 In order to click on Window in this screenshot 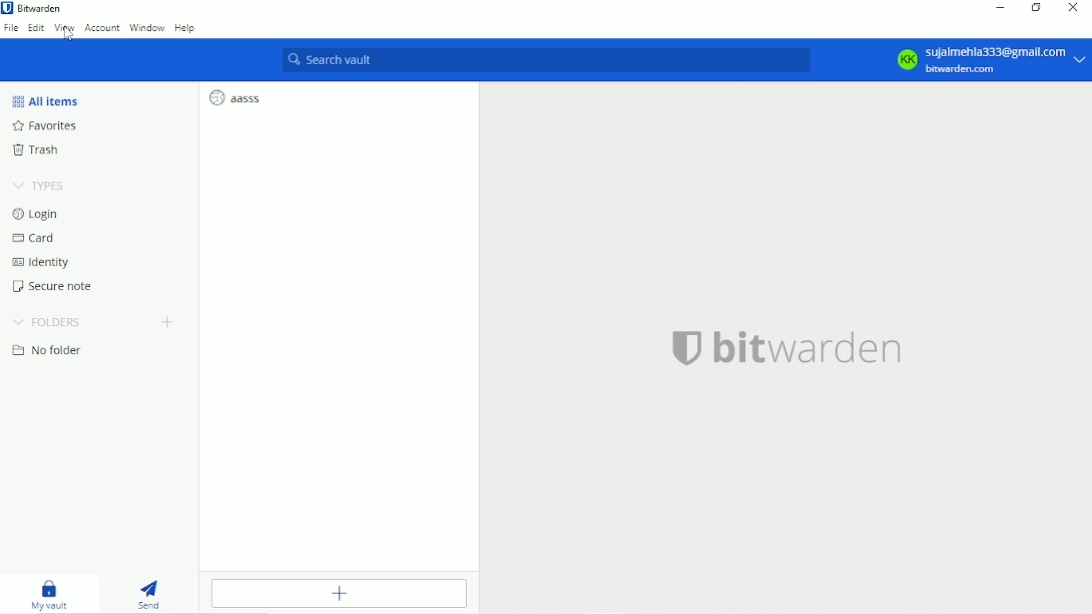, I will do `click(147, 28)`.